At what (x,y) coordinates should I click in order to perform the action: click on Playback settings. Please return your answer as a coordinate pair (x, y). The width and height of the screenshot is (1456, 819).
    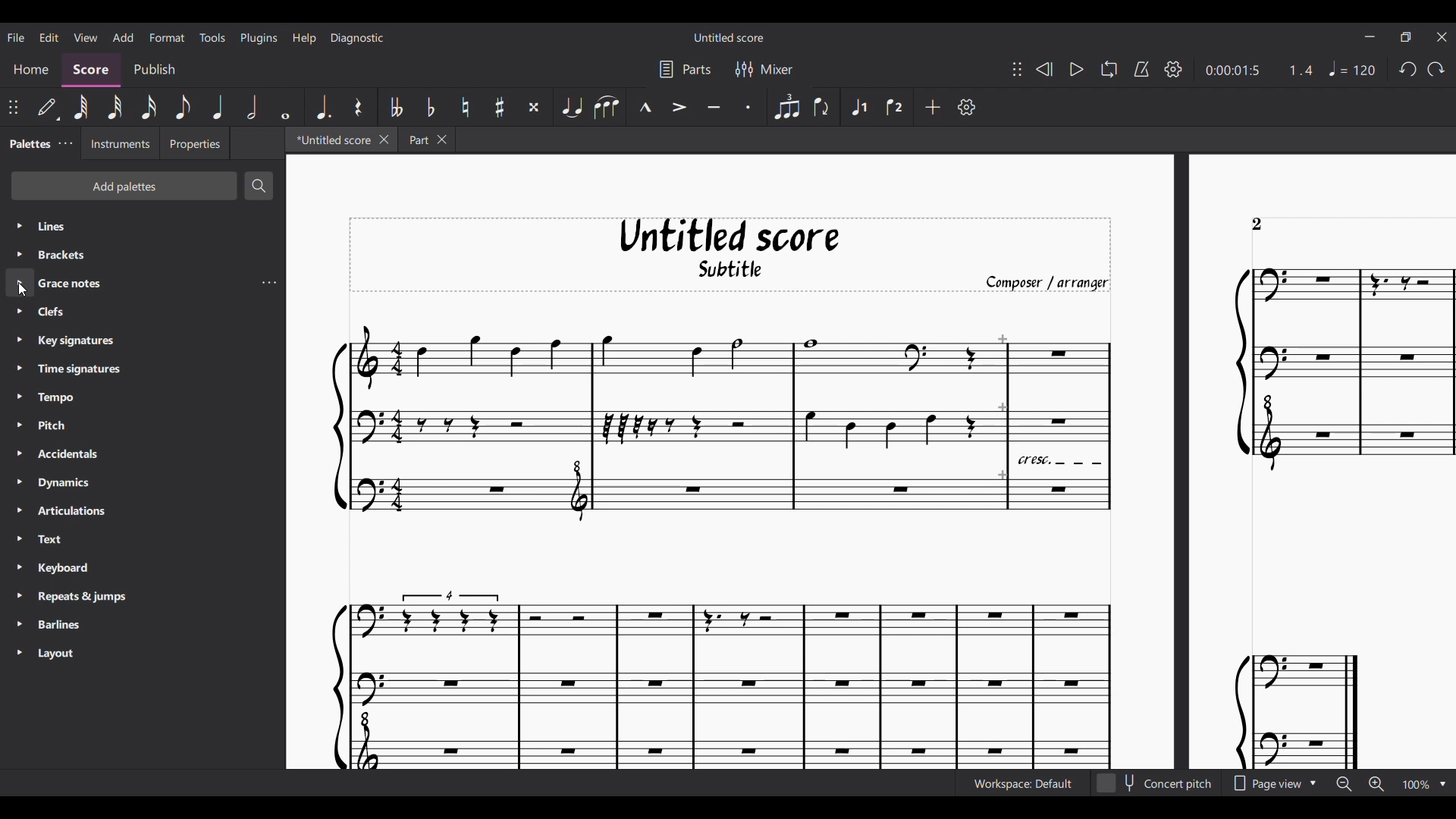
    Looking at the image, I should click on (1173, 69).